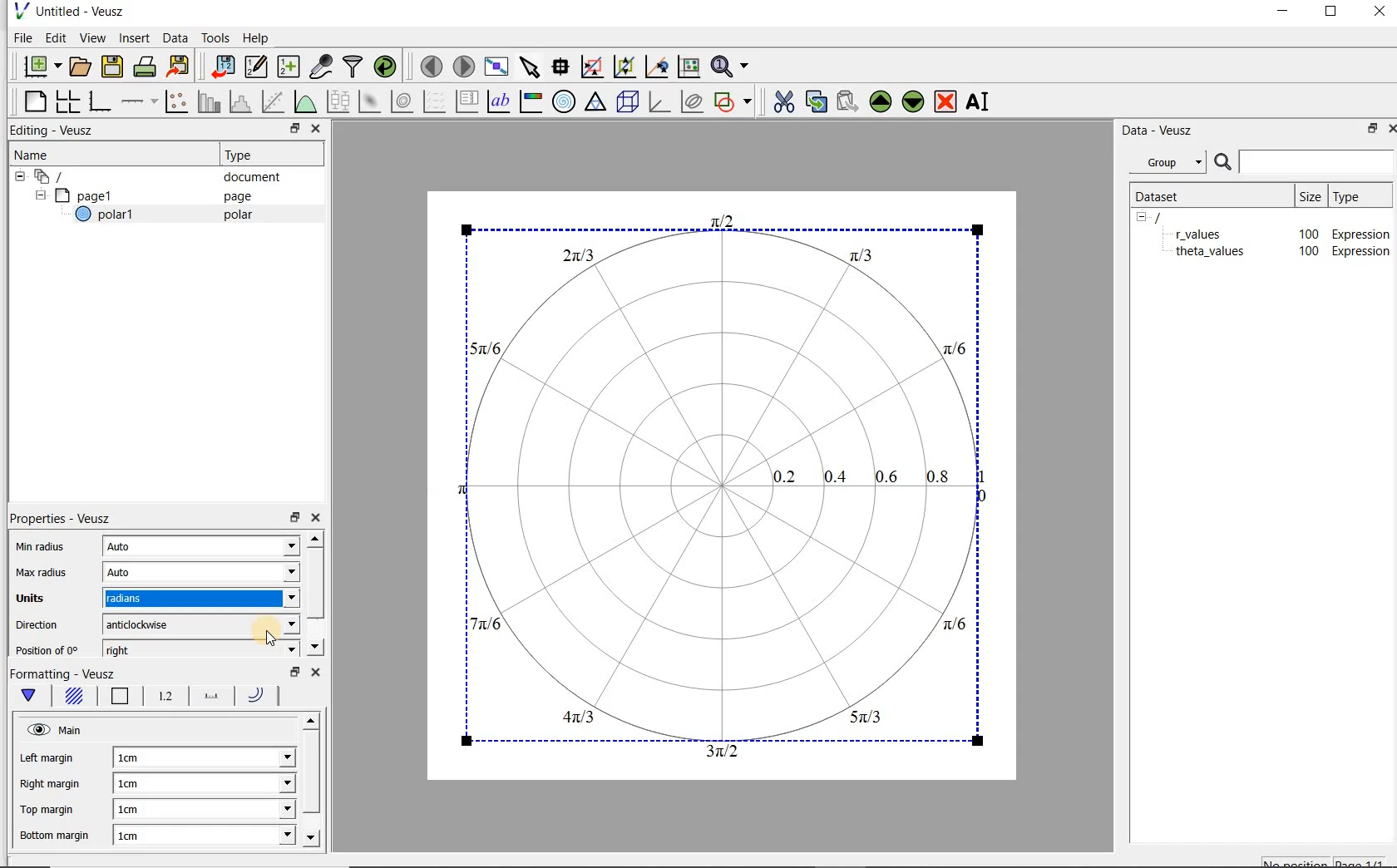 The width and height of the screenshot is (1397, 868). What do you see at coordinates (67, 10) in the screenshot?
I see `Untitled - Veusz` at bounding box center [67, 10].